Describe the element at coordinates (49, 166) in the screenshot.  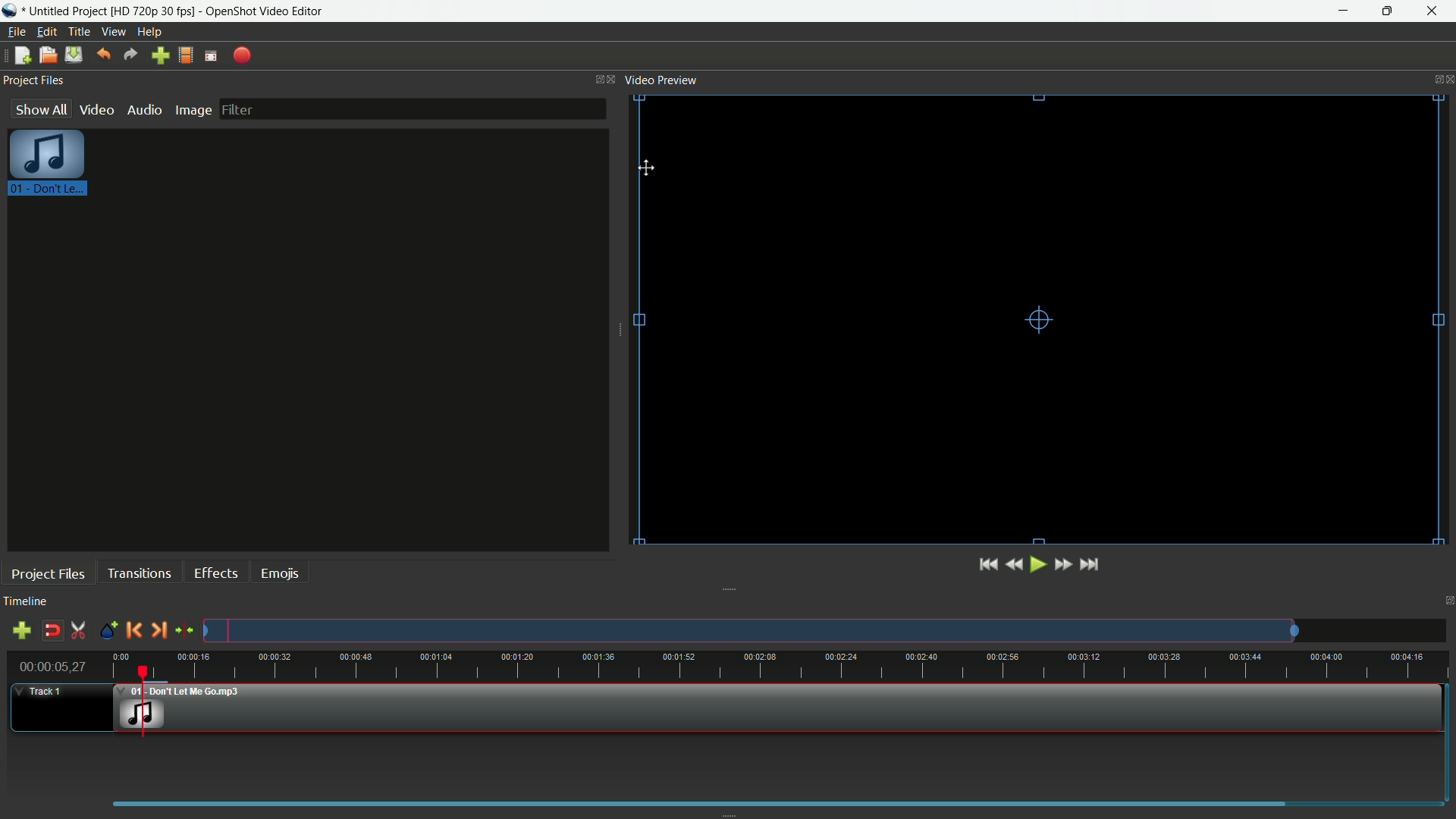
I see `project file` at that location.